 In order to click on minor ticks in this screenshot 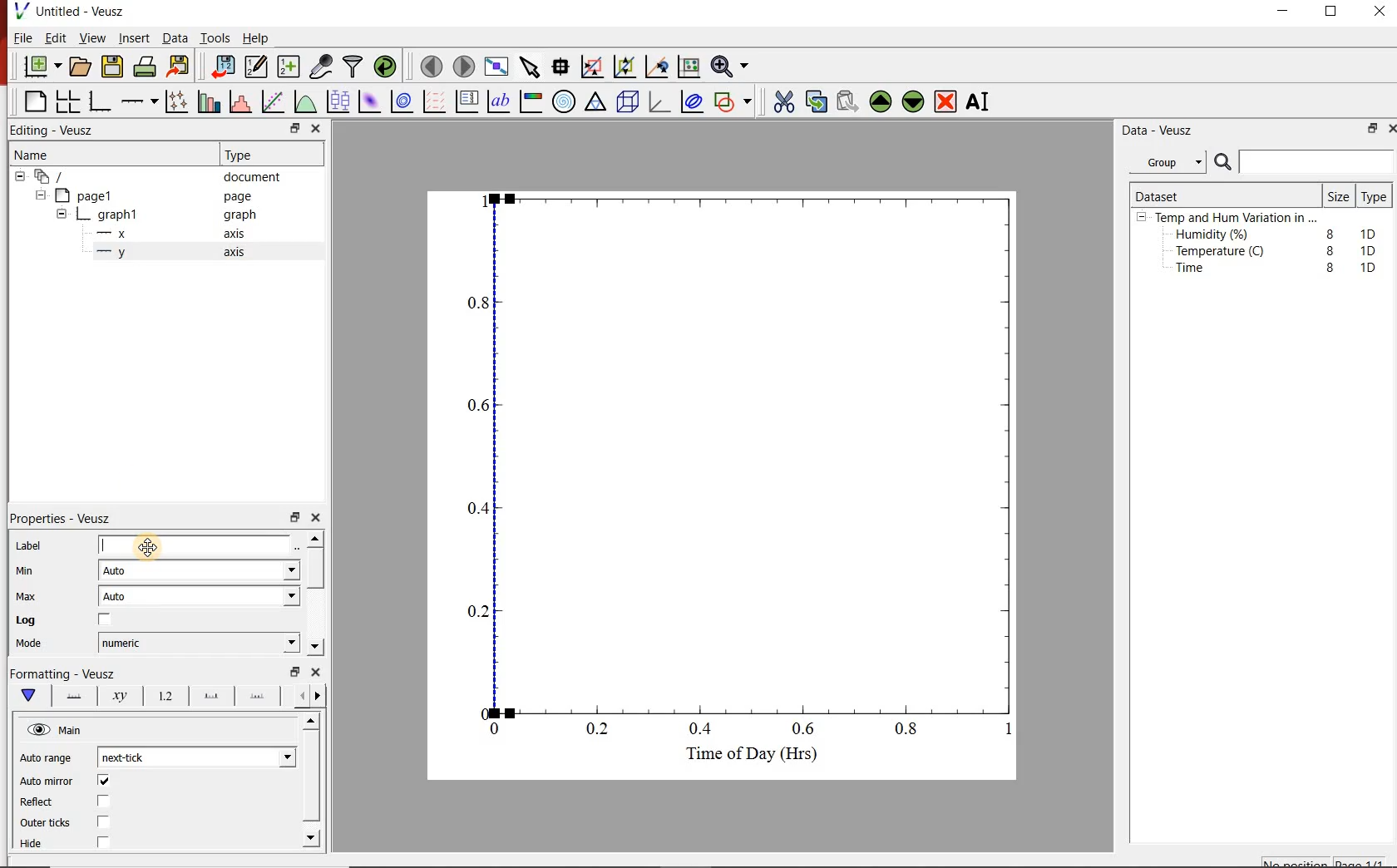, I will do `click(259, 697)`.